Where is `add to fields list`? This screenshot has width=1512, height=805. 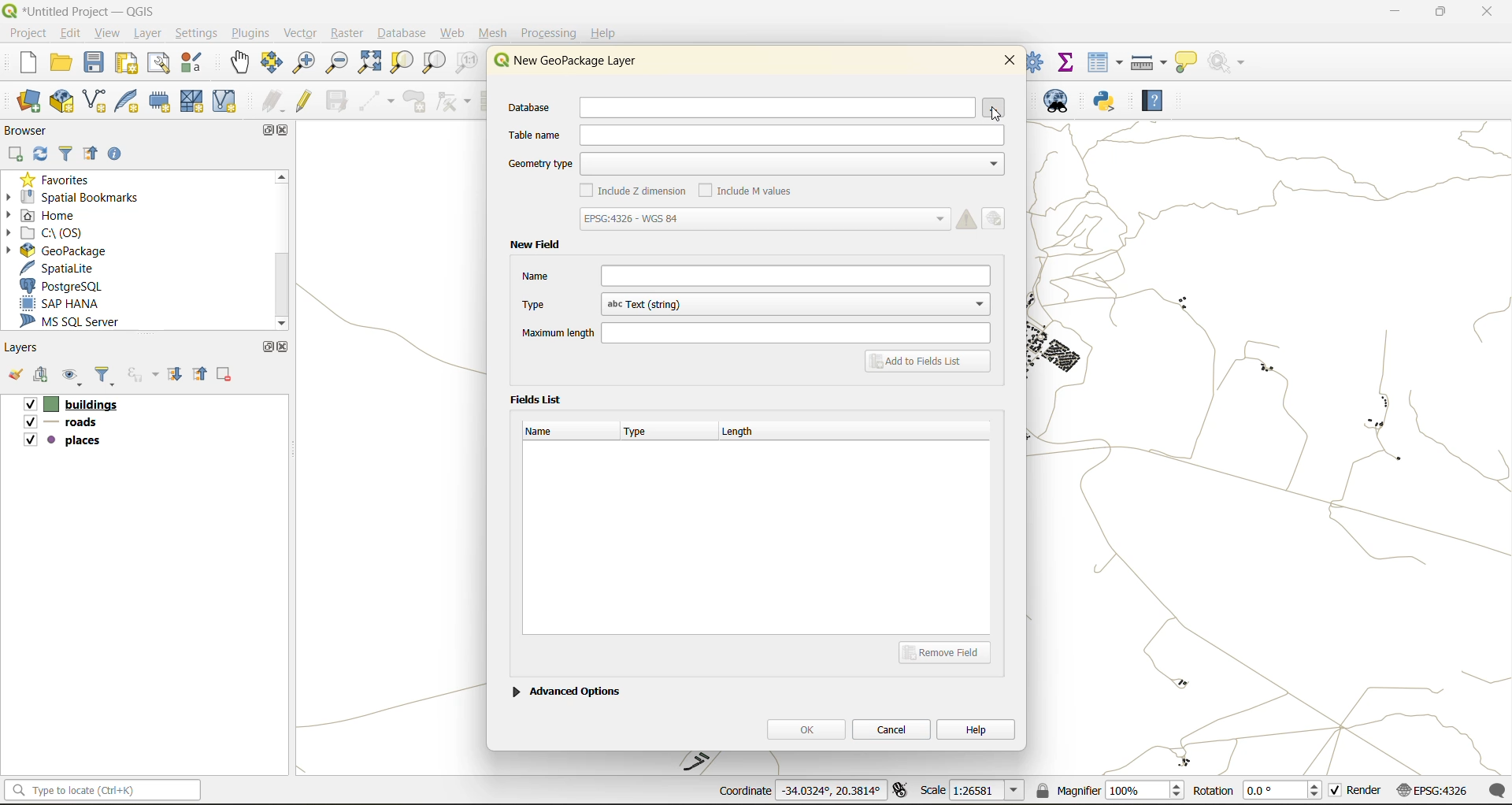 add to fields list is located at coordinates (930, 362).